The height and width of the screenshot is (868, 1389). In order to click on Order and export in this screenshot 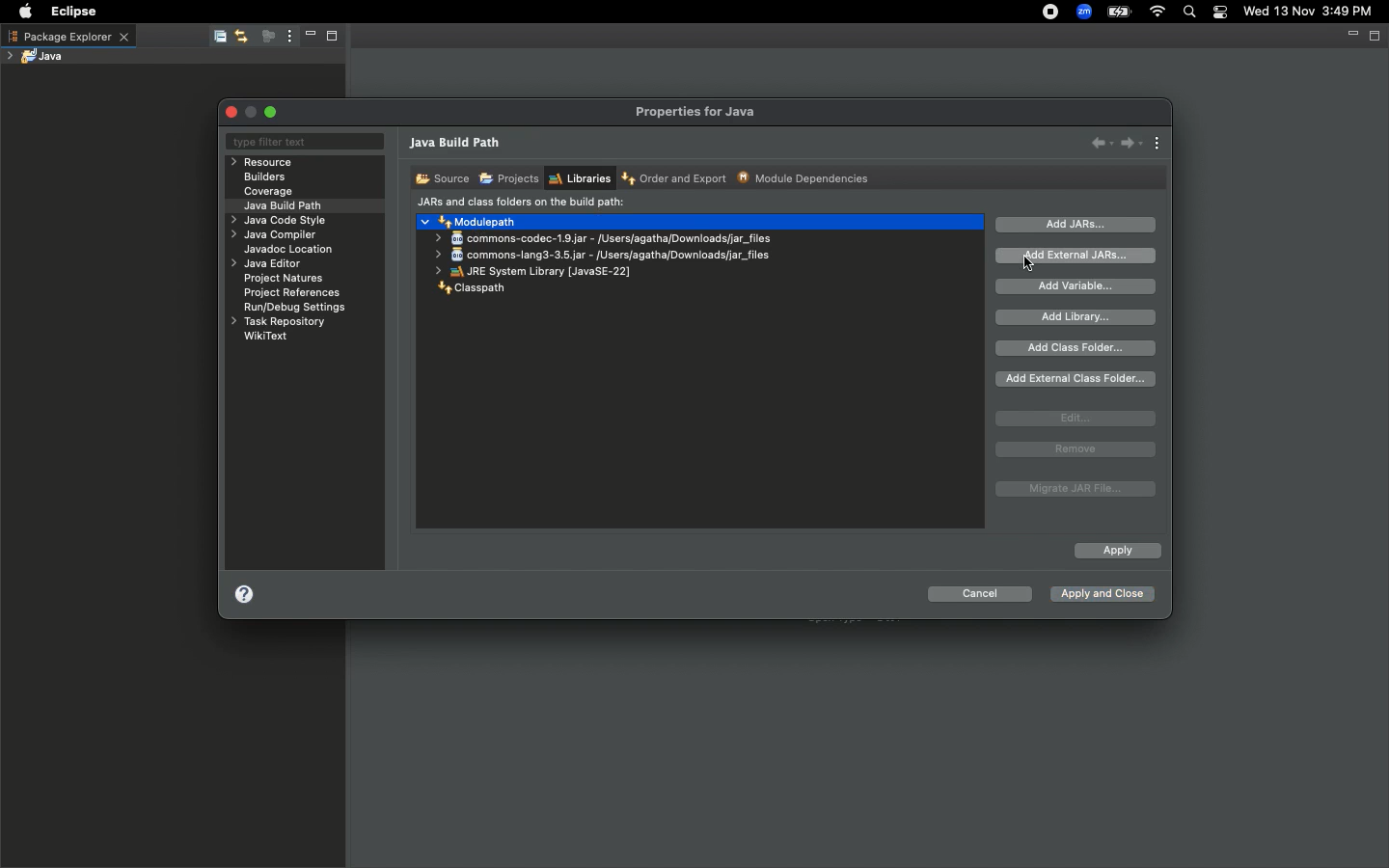, I will do `click(676, 179)`.